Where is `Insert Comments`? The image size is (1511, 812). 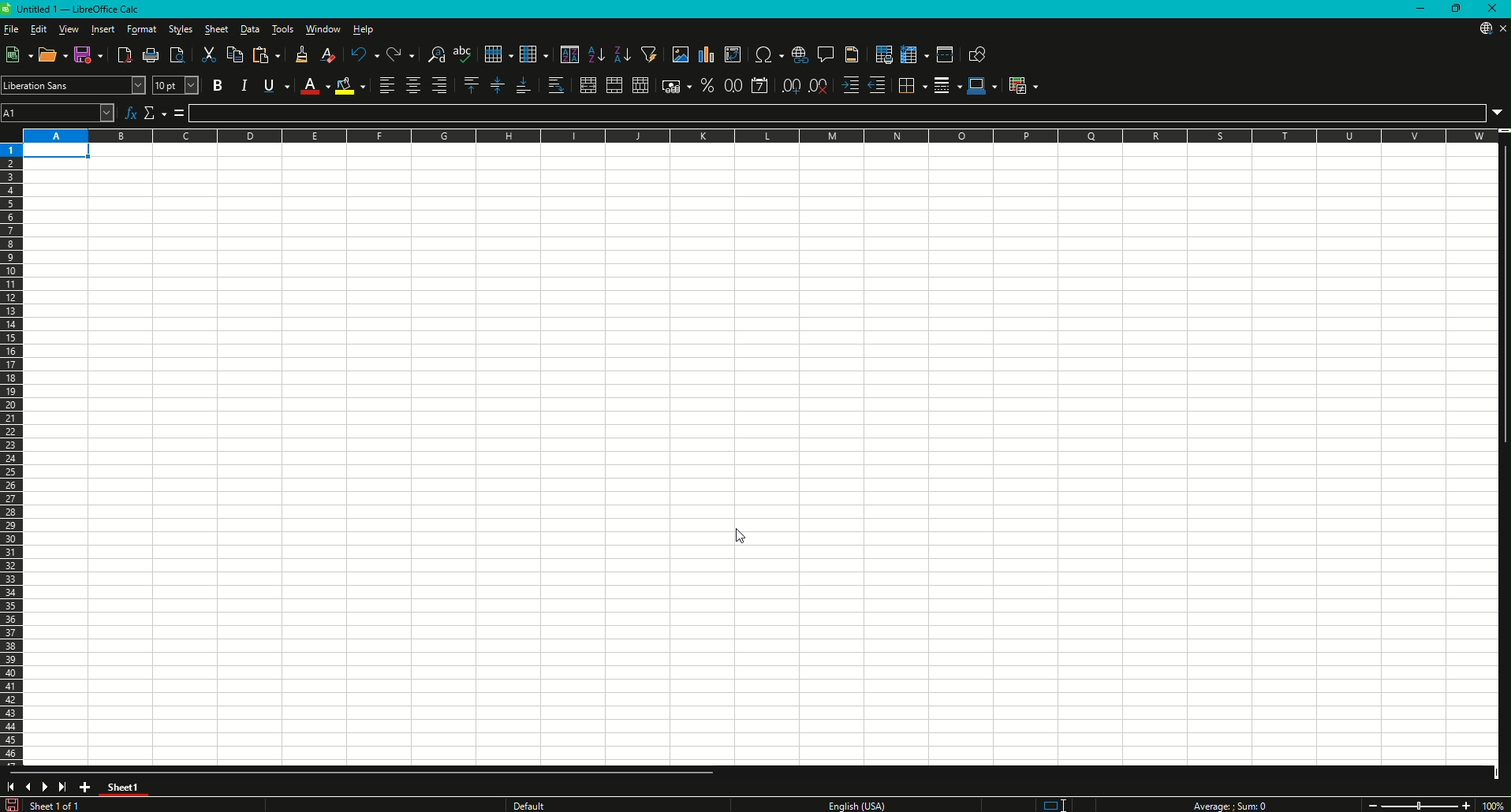
Insert Comments is located at coordinates (826, 54).